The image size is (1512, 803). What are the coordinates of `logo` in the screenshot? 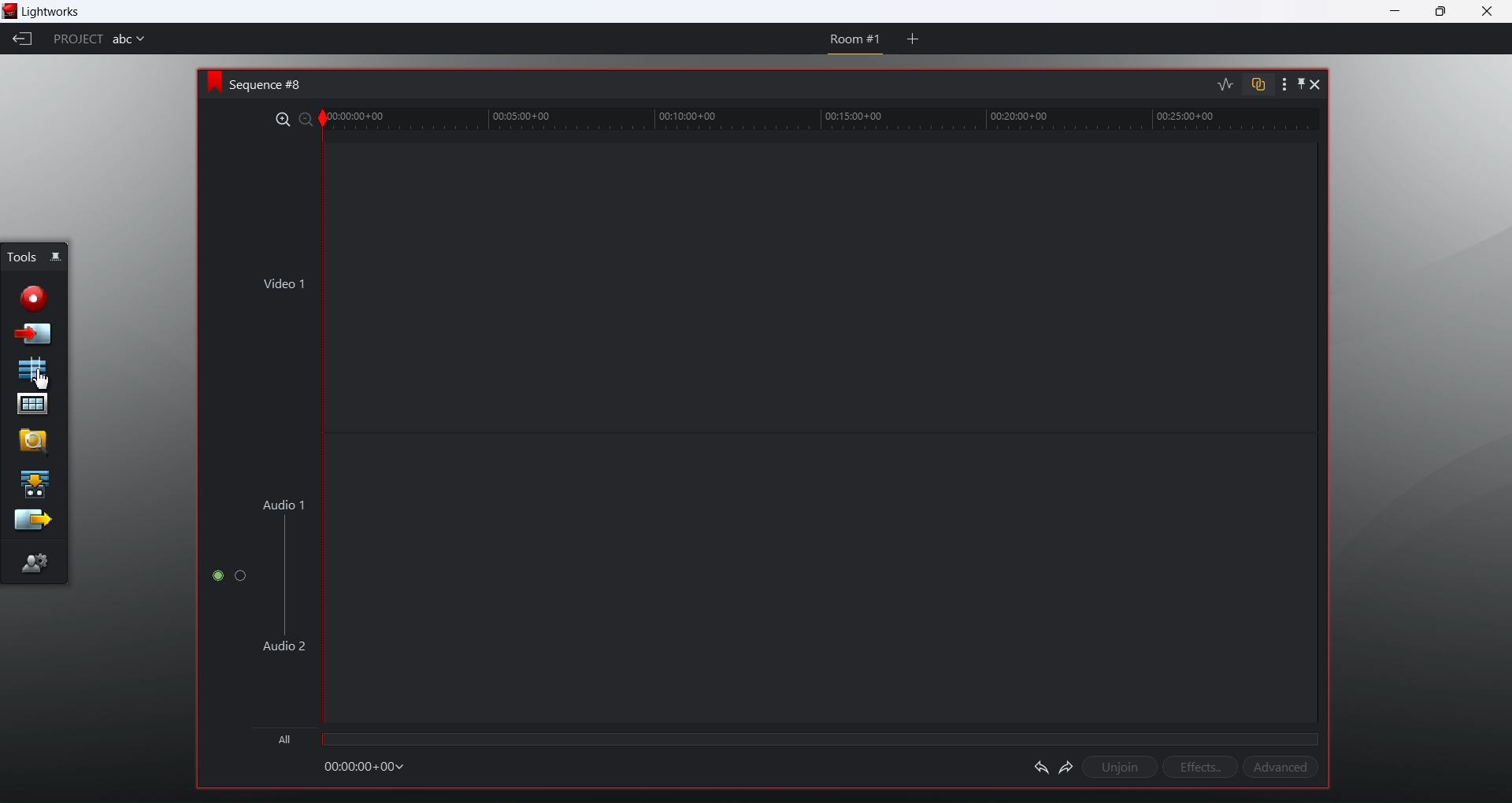 It's located at (209, 82).